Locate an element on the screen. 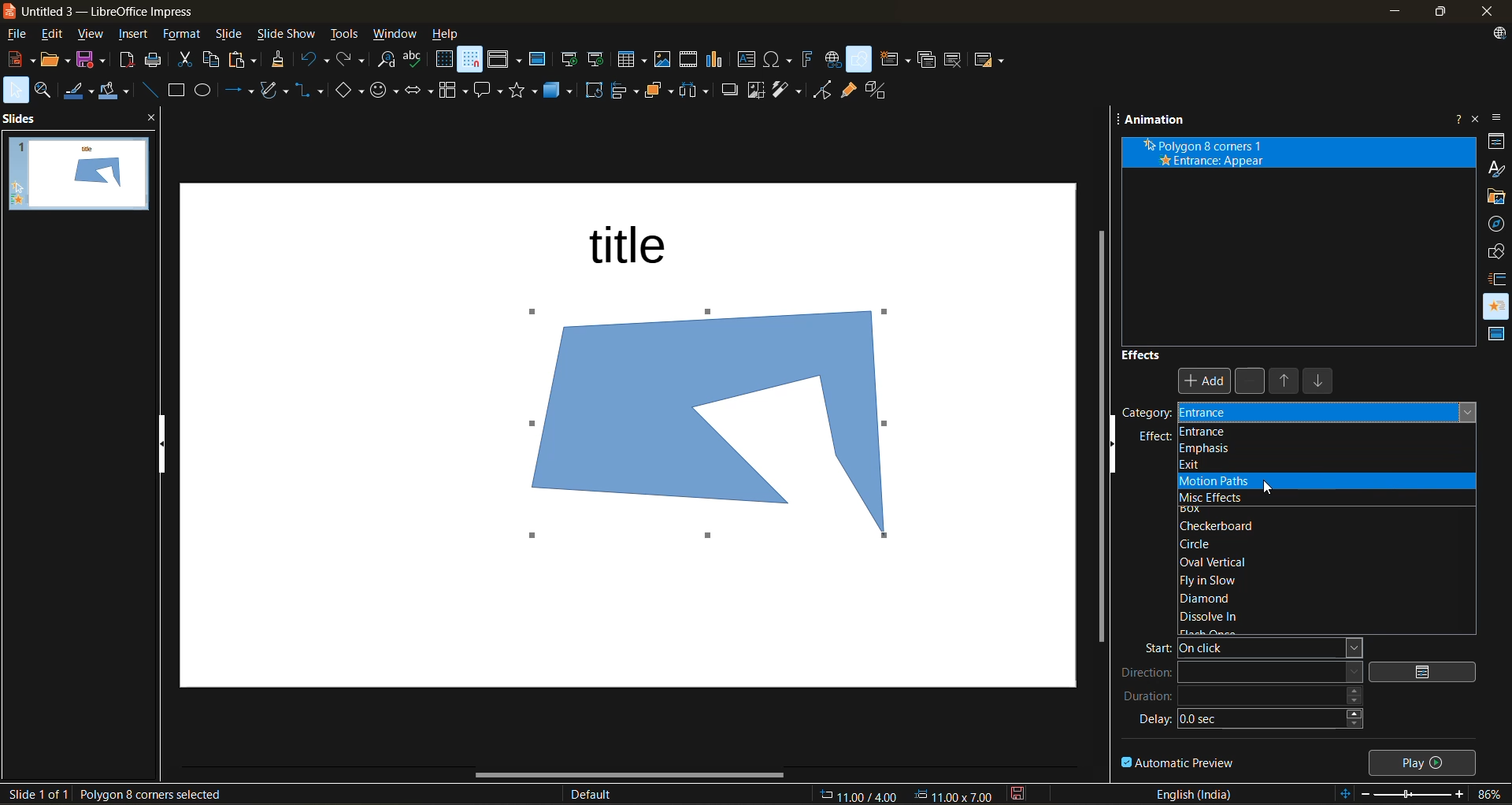 The height and width of the screenshot is (805, 1512). display views is located at coordinates (503, 61).